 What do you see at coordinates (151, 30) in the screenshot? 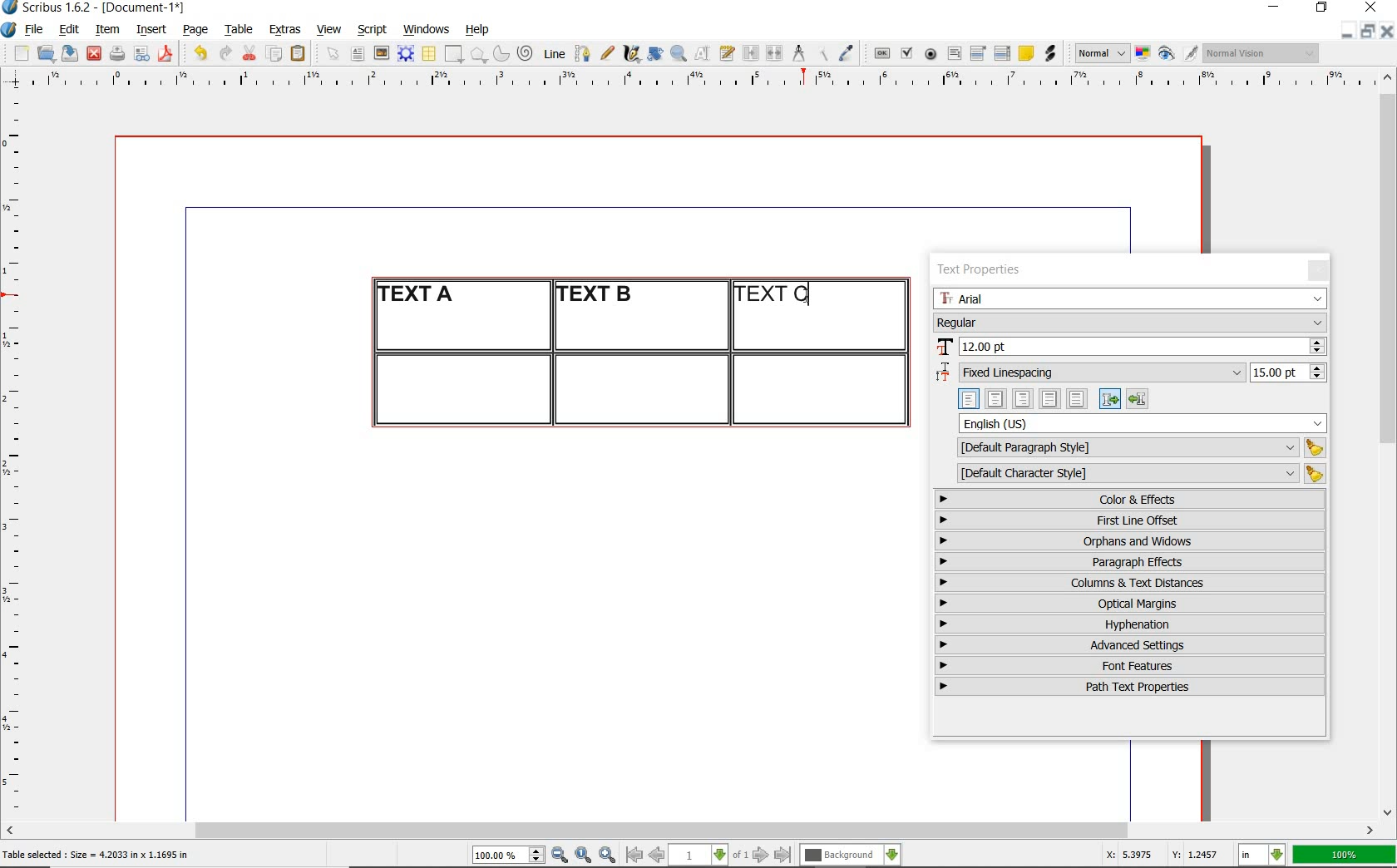
I see `insert` at bounding box center [151, 30].